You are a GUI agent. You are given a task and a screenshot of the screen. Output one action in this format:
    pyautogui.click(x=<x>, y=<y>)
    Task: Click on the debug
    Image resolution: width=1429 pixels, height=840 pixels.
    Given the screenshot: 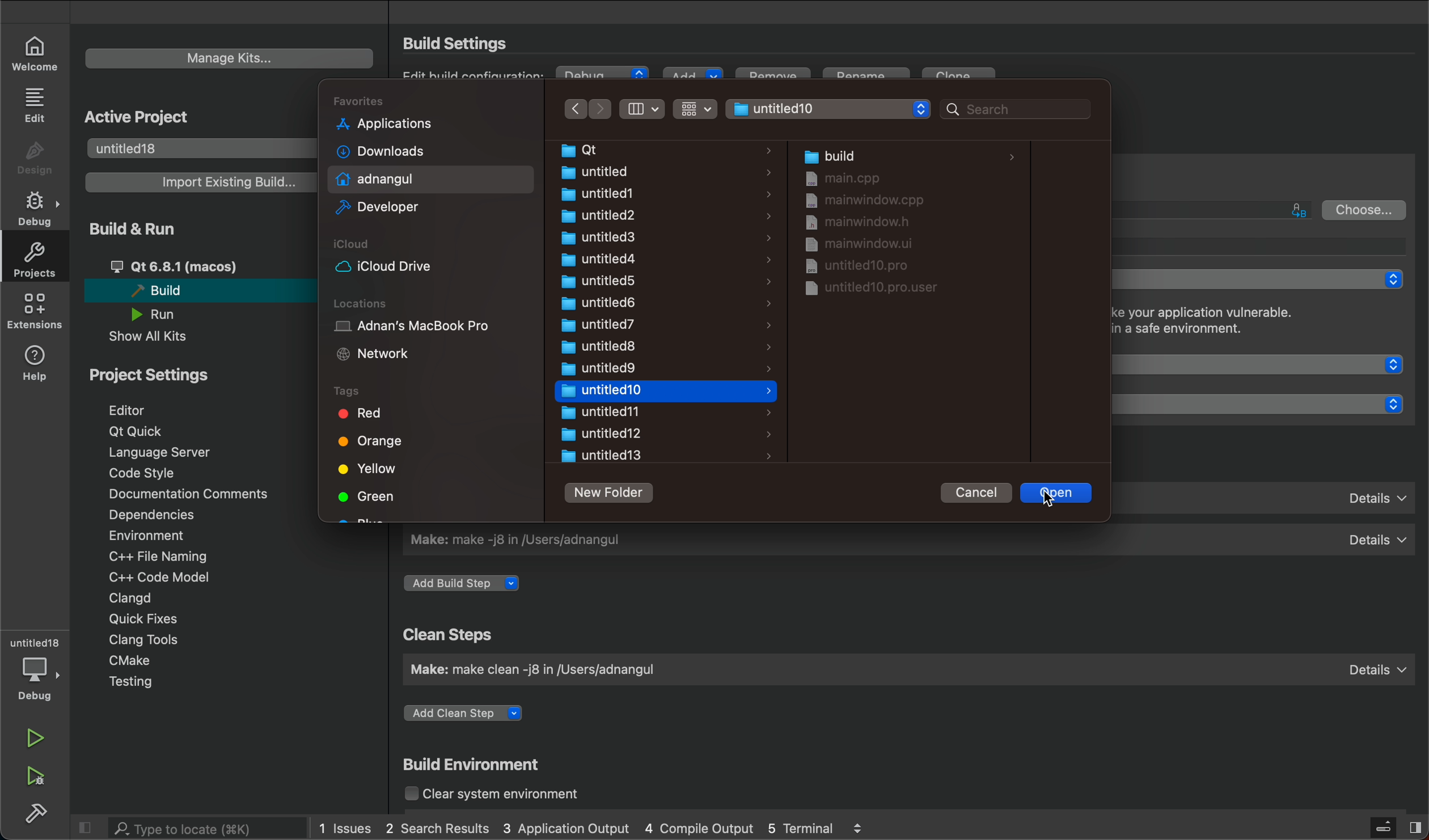 What is the action you would take?
    pyautogui.click(x=39, y=210)
    